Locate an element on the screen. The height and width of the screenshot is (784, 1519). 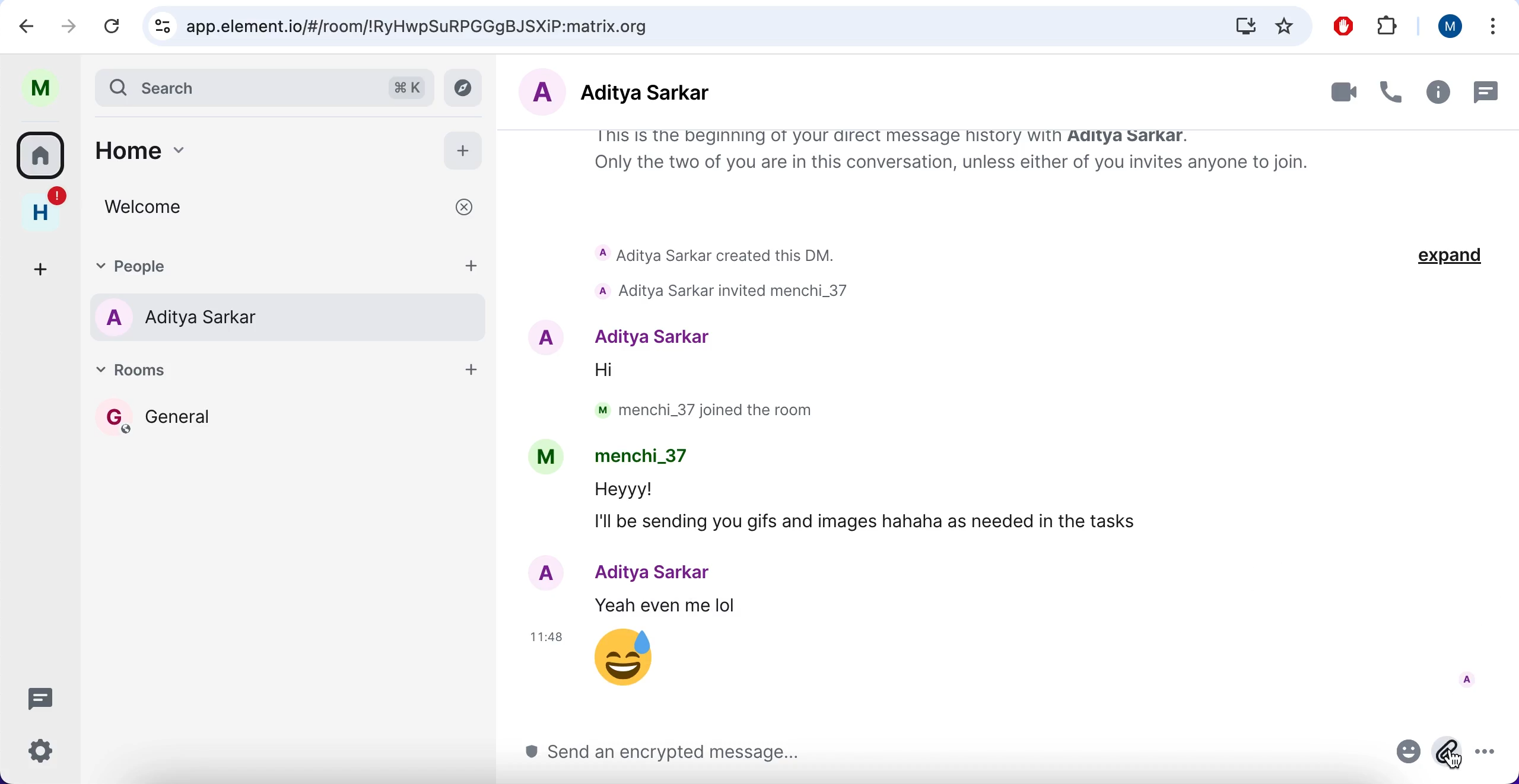
add is located at coordinates (465, 148).